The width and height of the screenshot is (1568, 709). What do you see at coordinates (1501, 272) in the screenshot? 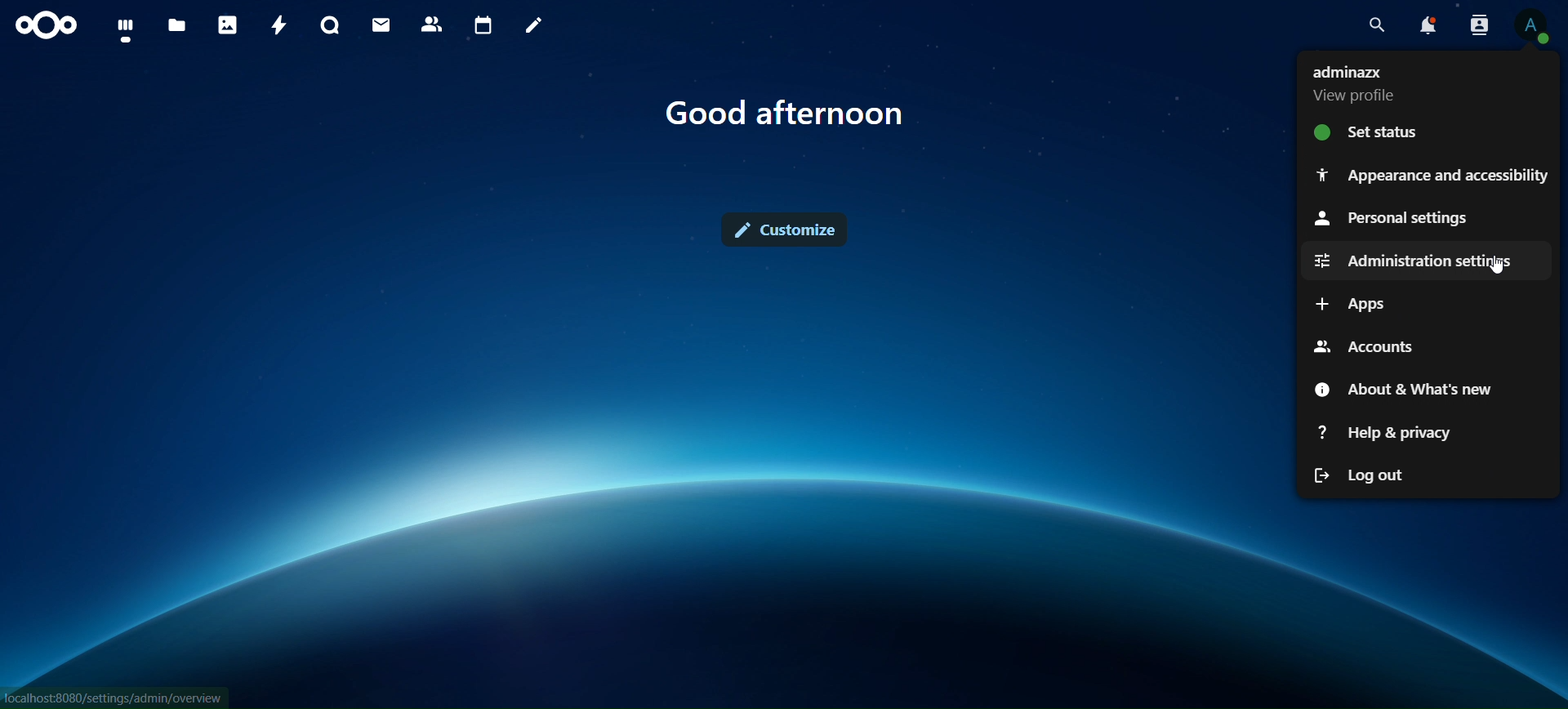
I see `cursor` at bounding box center [1501, 272].